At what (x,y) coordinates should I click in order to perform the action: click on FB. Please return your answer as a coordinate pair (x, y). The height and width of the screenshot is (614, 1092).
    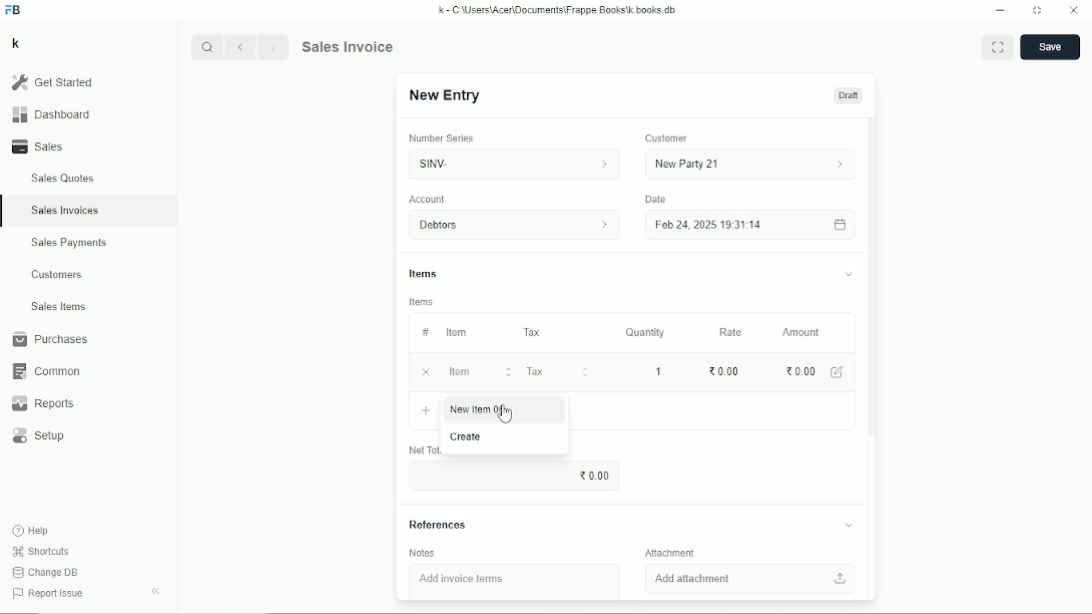
    Looking at the image, I should click on (14, 10).